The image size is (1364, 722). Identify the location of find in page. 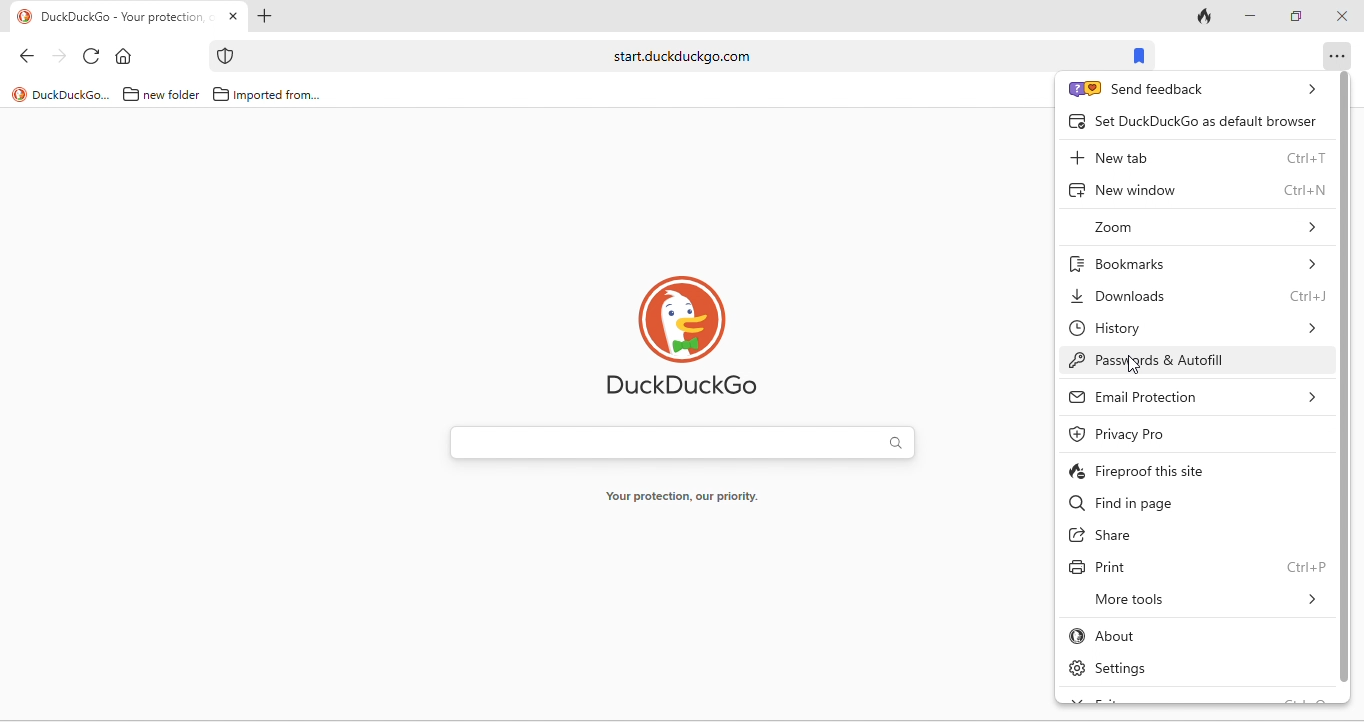
(1185, 505).